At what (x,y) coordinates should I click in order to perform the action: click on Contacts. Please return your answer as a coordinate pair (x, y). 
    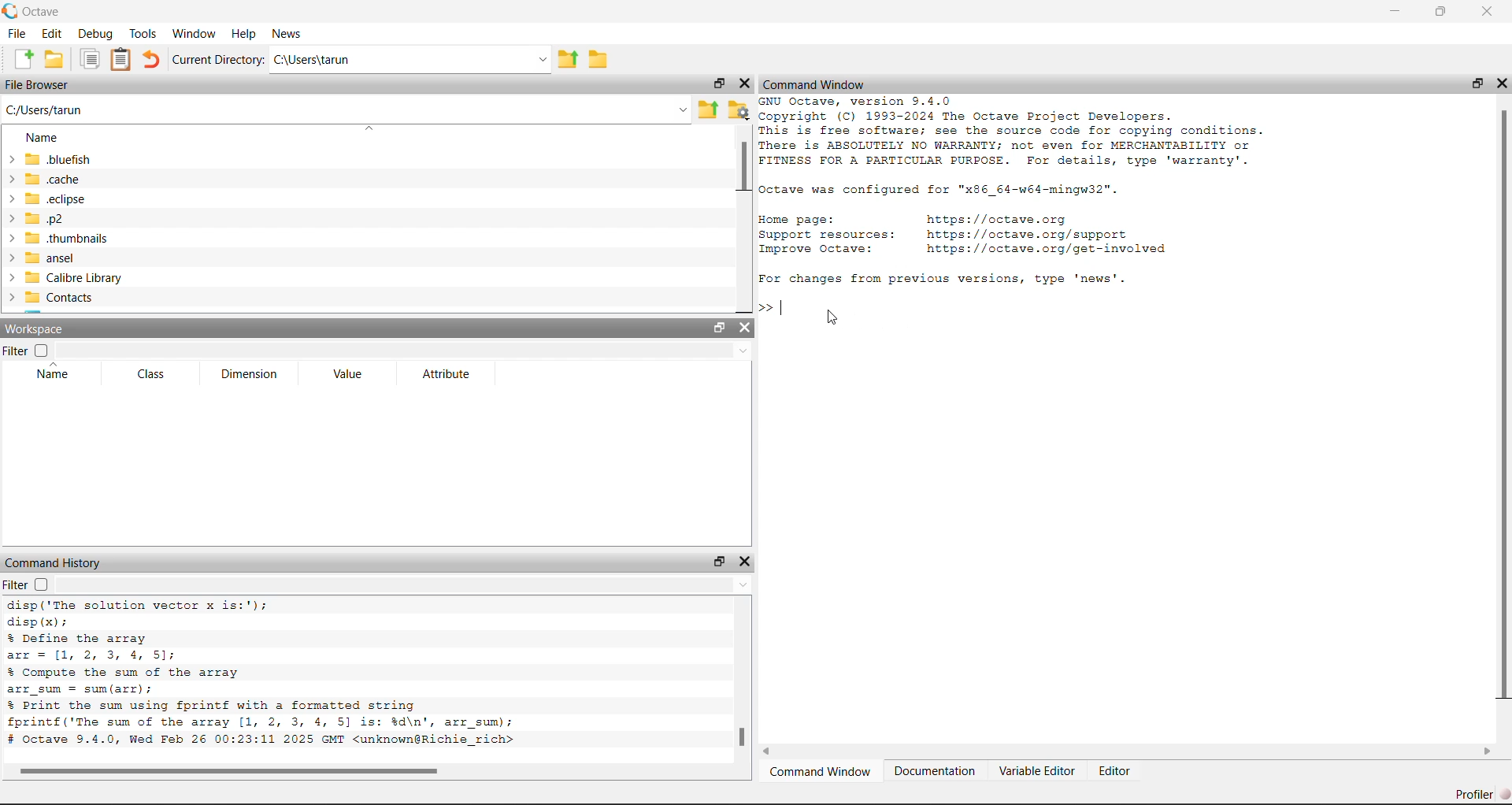
    Looking at the image, I should click on (55, 299).